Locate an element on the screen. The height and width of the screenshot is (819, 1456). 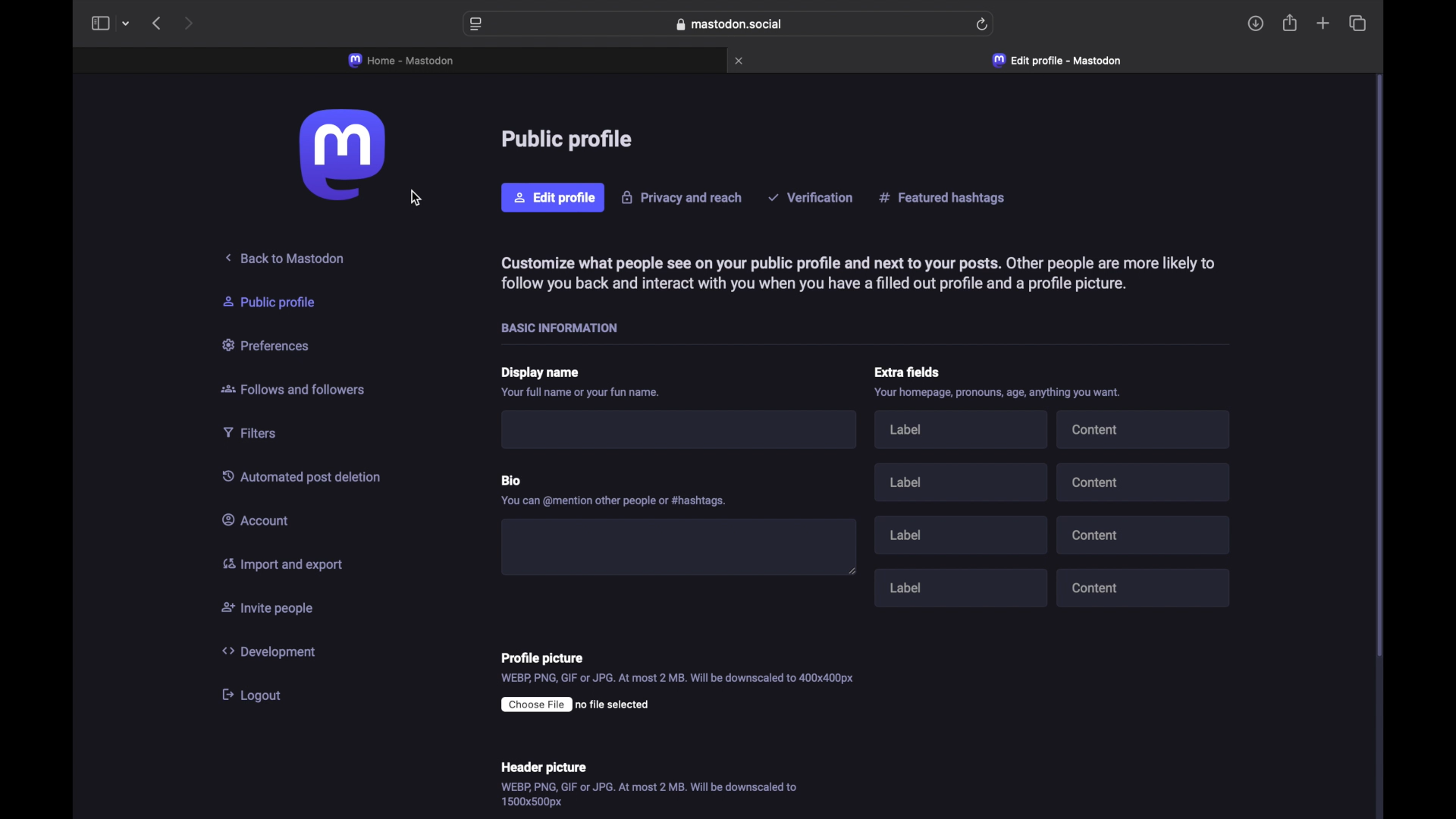
logout is located at coordinates (252, 695).